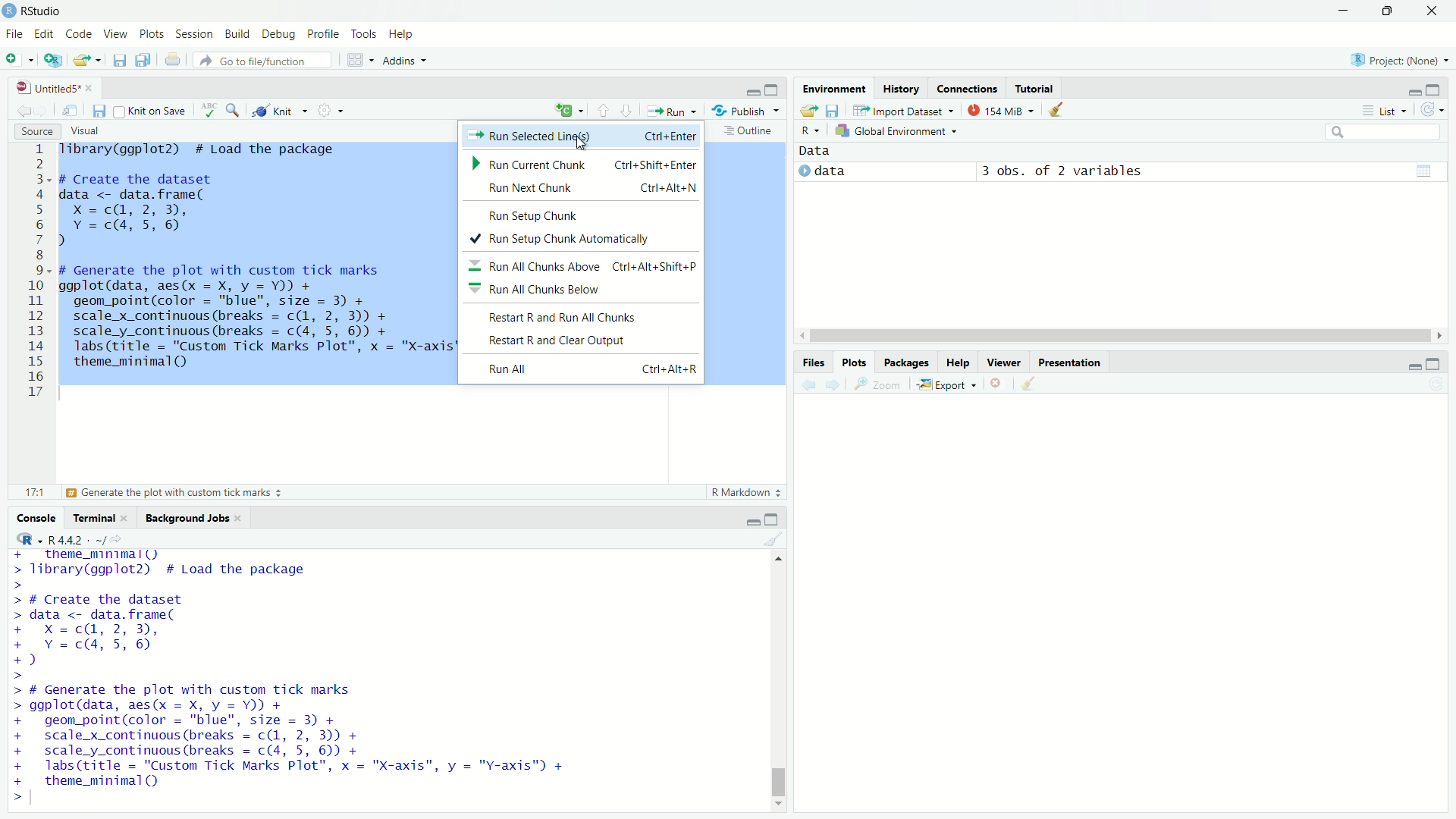 The height and width of the screenshot is (819, 1456). I want to click on prompt cursor, so click(12, 799).